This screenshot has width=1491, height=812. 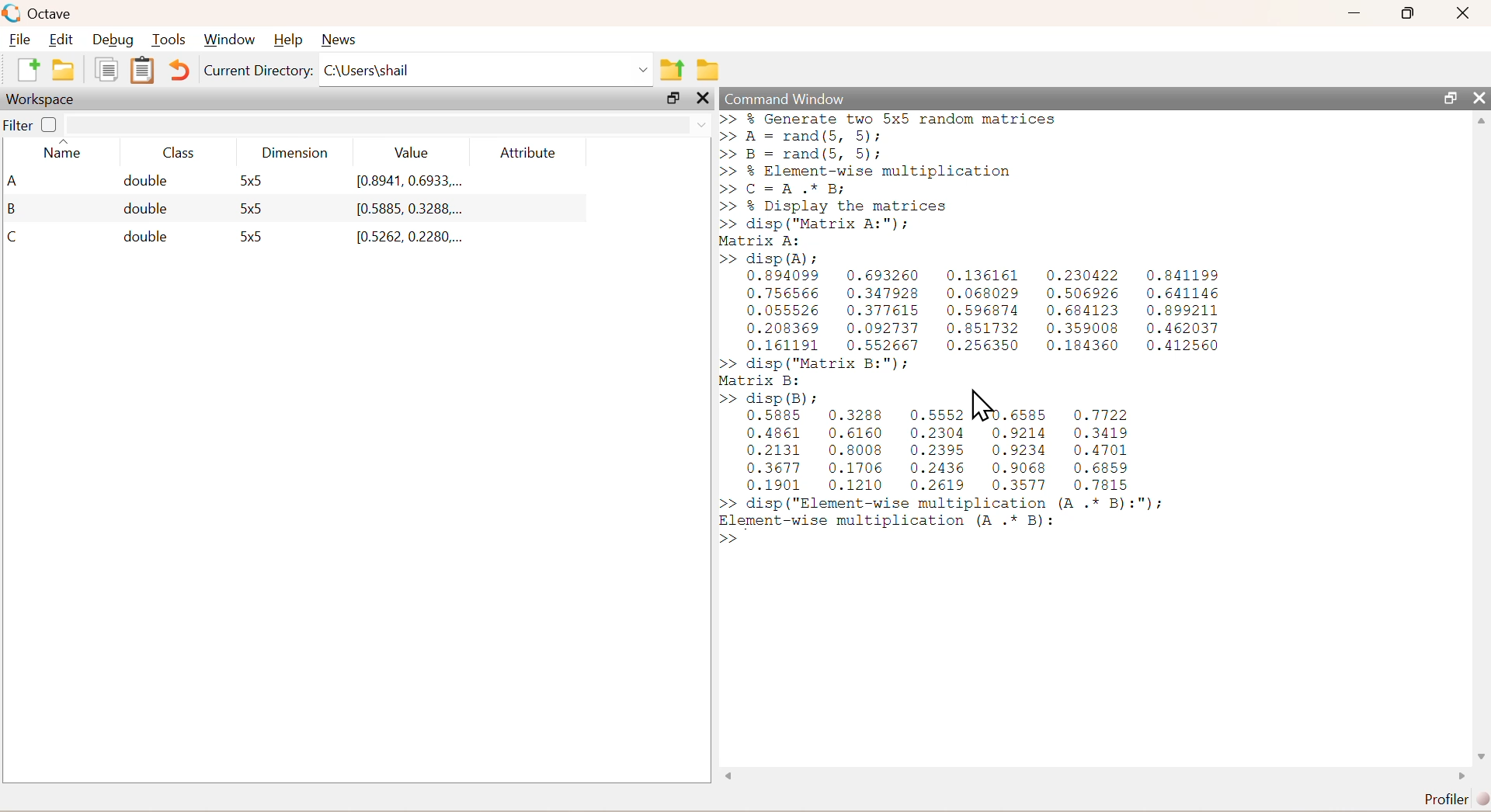 I want to click on Down, so click(x=1482, y=749).